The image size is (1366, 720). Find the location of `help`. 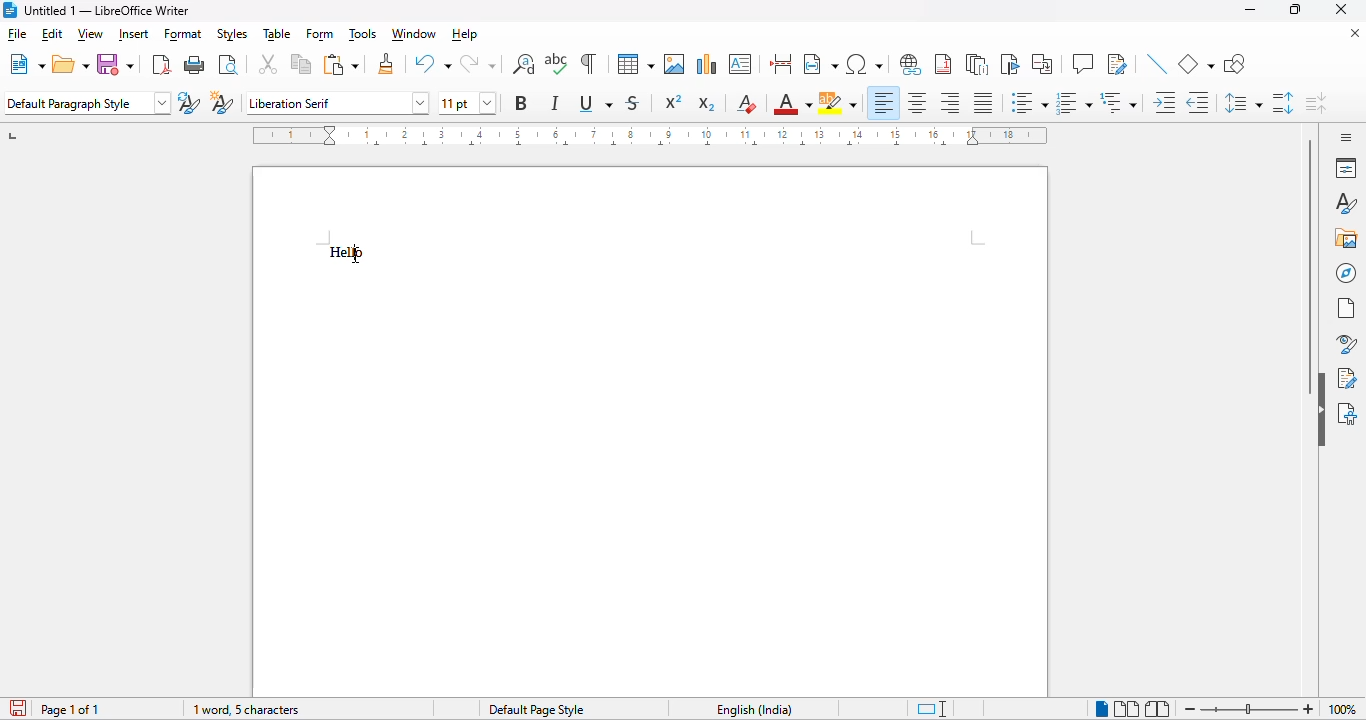

help is located at coordinates (464, 35).